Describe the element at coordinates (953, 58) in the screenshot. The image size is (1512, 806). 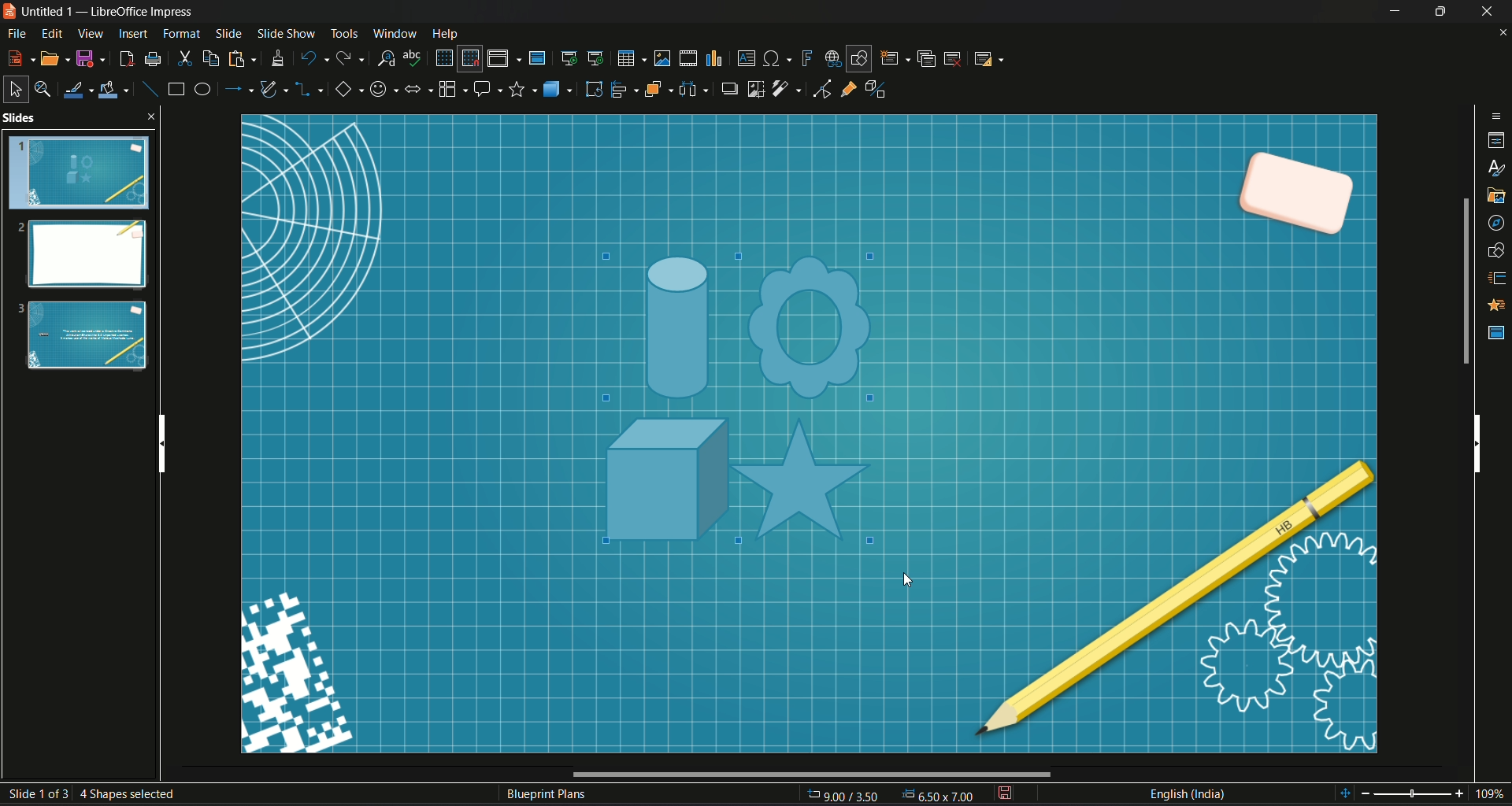
I see `delete slide` at that location.